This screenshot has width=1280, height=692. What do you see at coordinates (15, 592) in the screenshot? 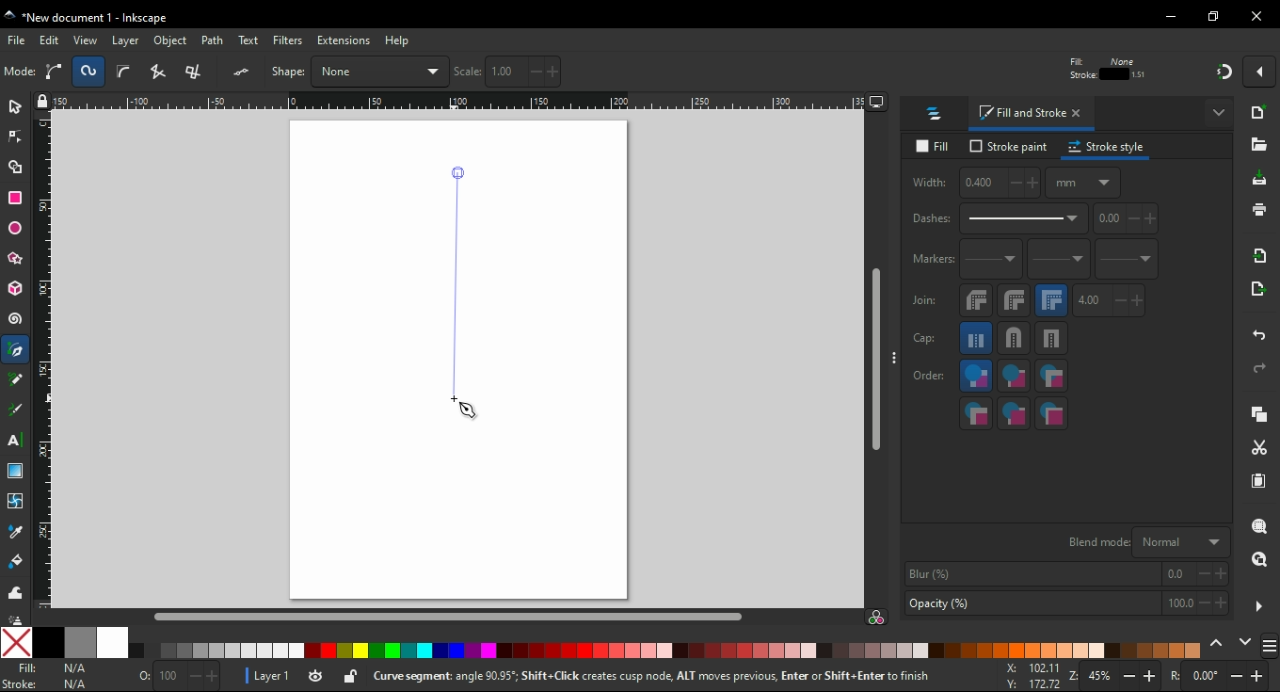
I see `tweak tool` at bounding box center [15, 592].